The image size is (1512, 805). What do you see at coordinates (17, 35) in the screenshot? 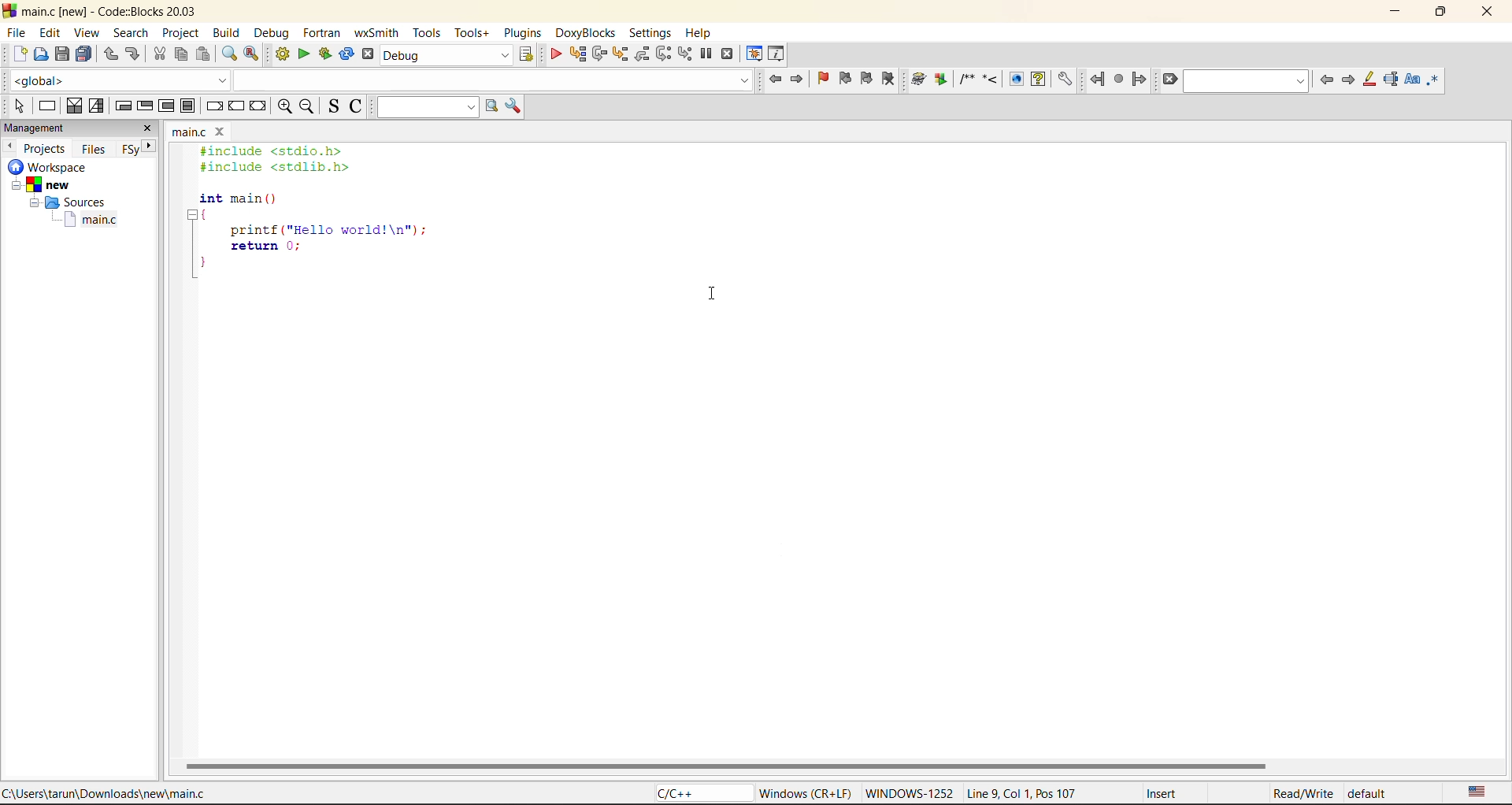
I see `file` at bounding box center [17, 35].